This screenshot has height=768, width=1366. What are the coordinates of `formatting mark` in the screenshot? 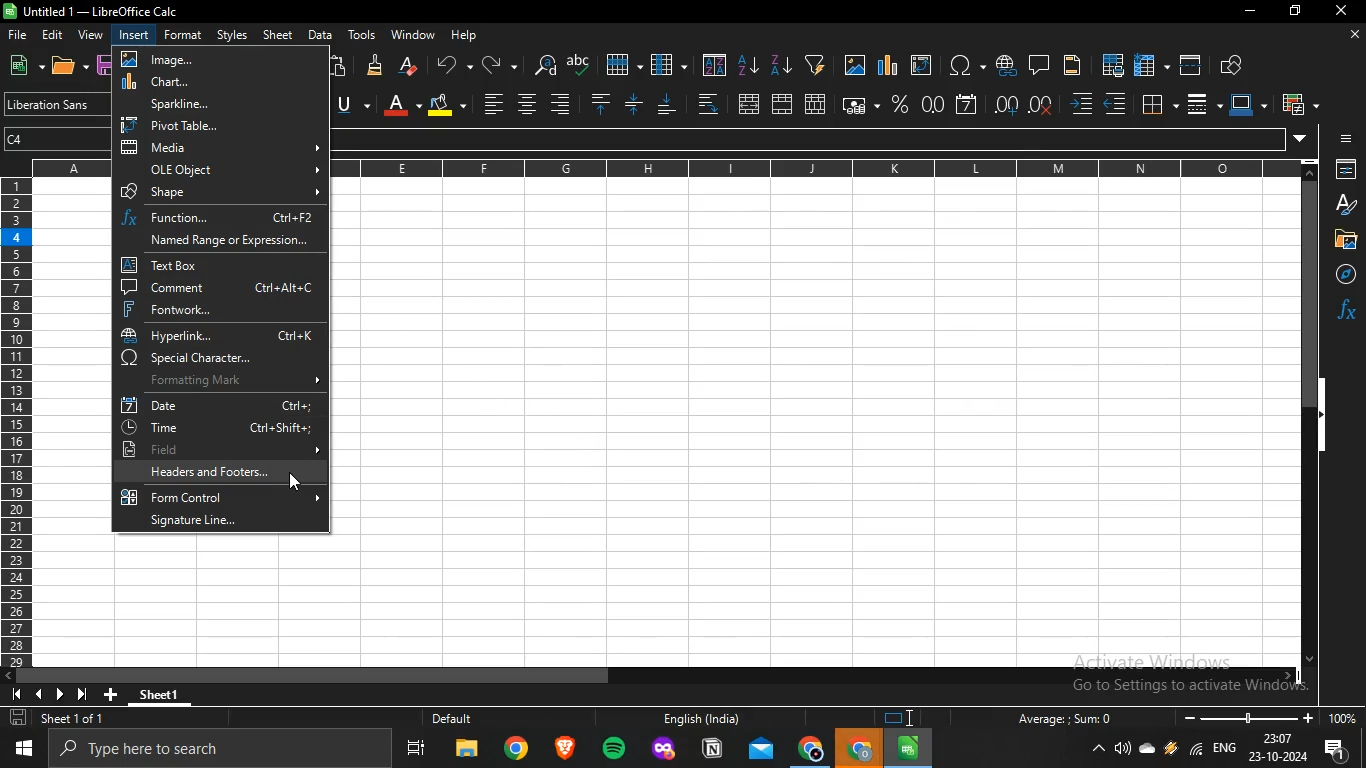 It's located at (223, 381).